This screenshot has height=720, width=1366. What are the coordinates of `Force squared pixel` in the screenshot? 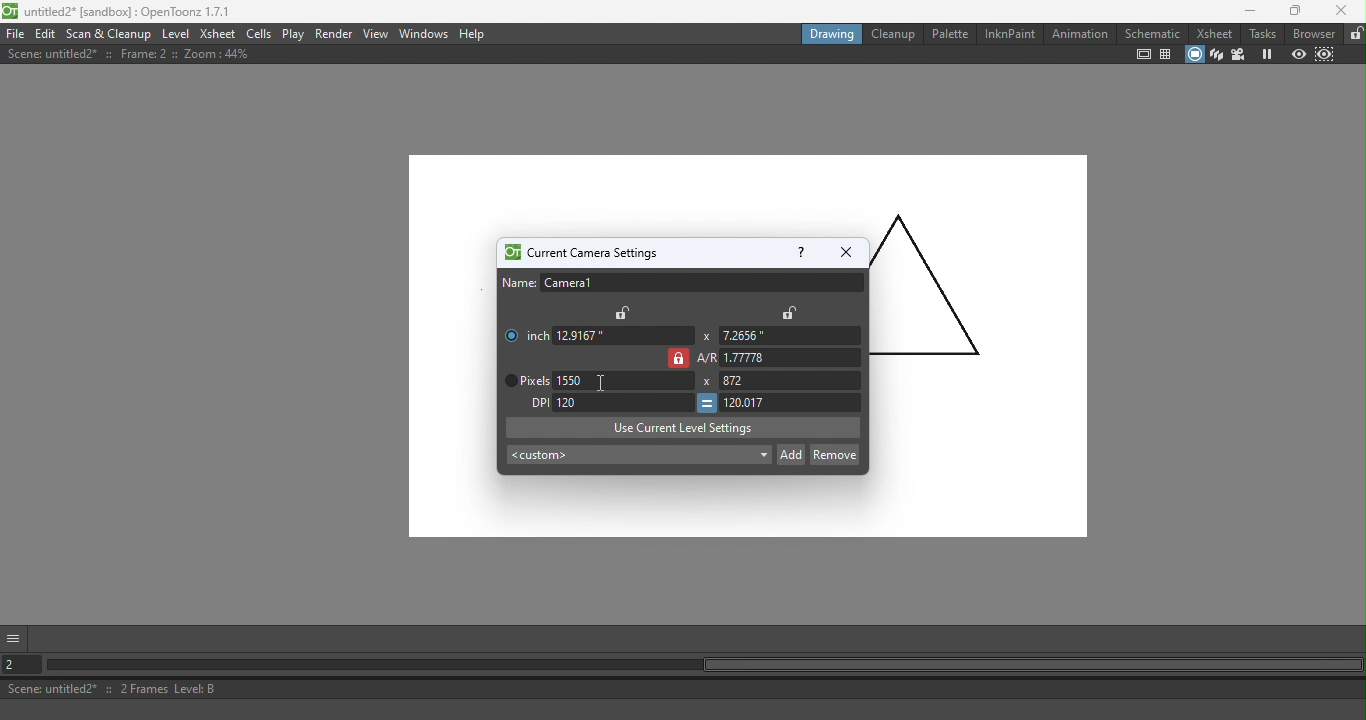 It's located at (706, 403).